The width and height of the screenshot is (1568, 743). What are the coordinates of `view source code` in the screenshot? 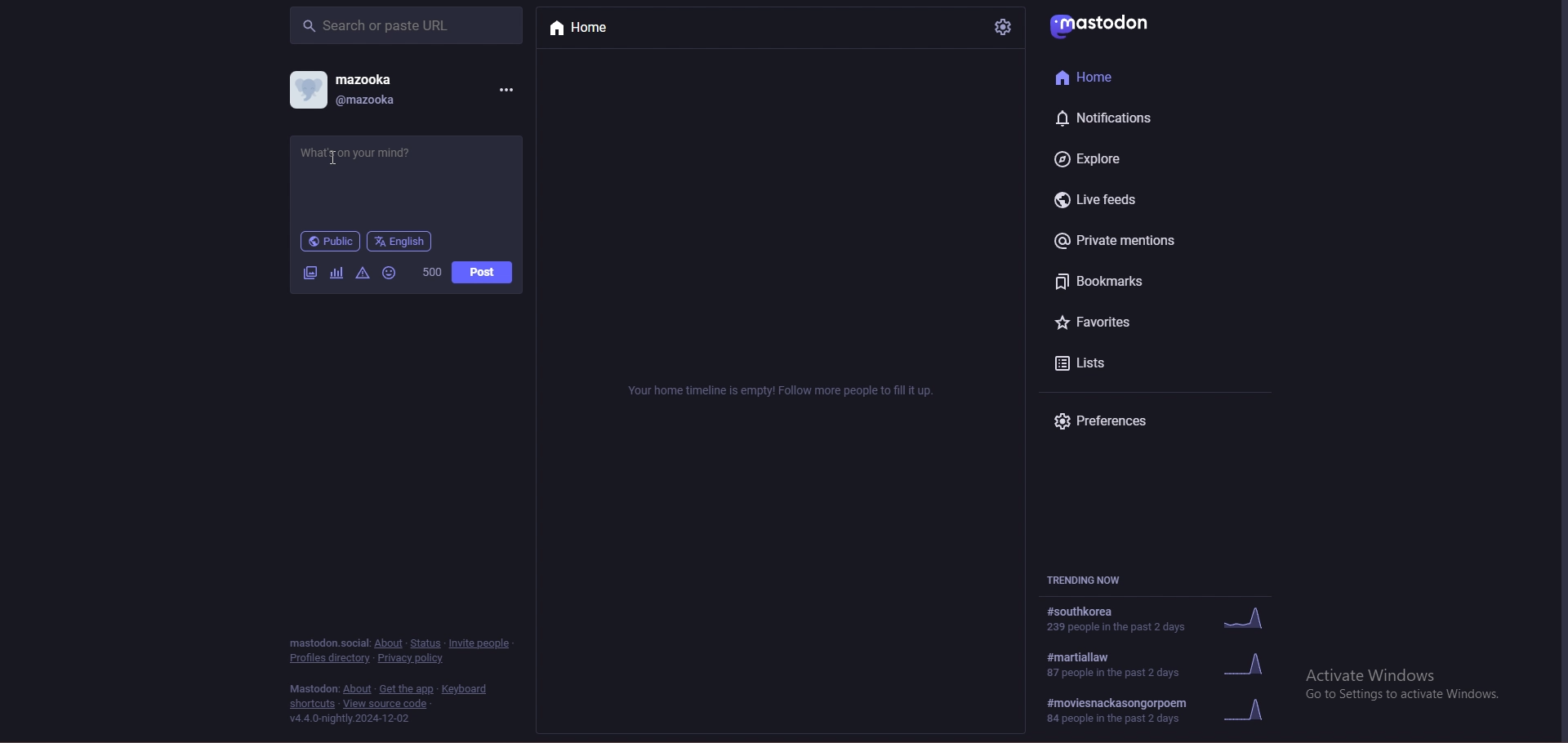 It's located at (768, 1480).